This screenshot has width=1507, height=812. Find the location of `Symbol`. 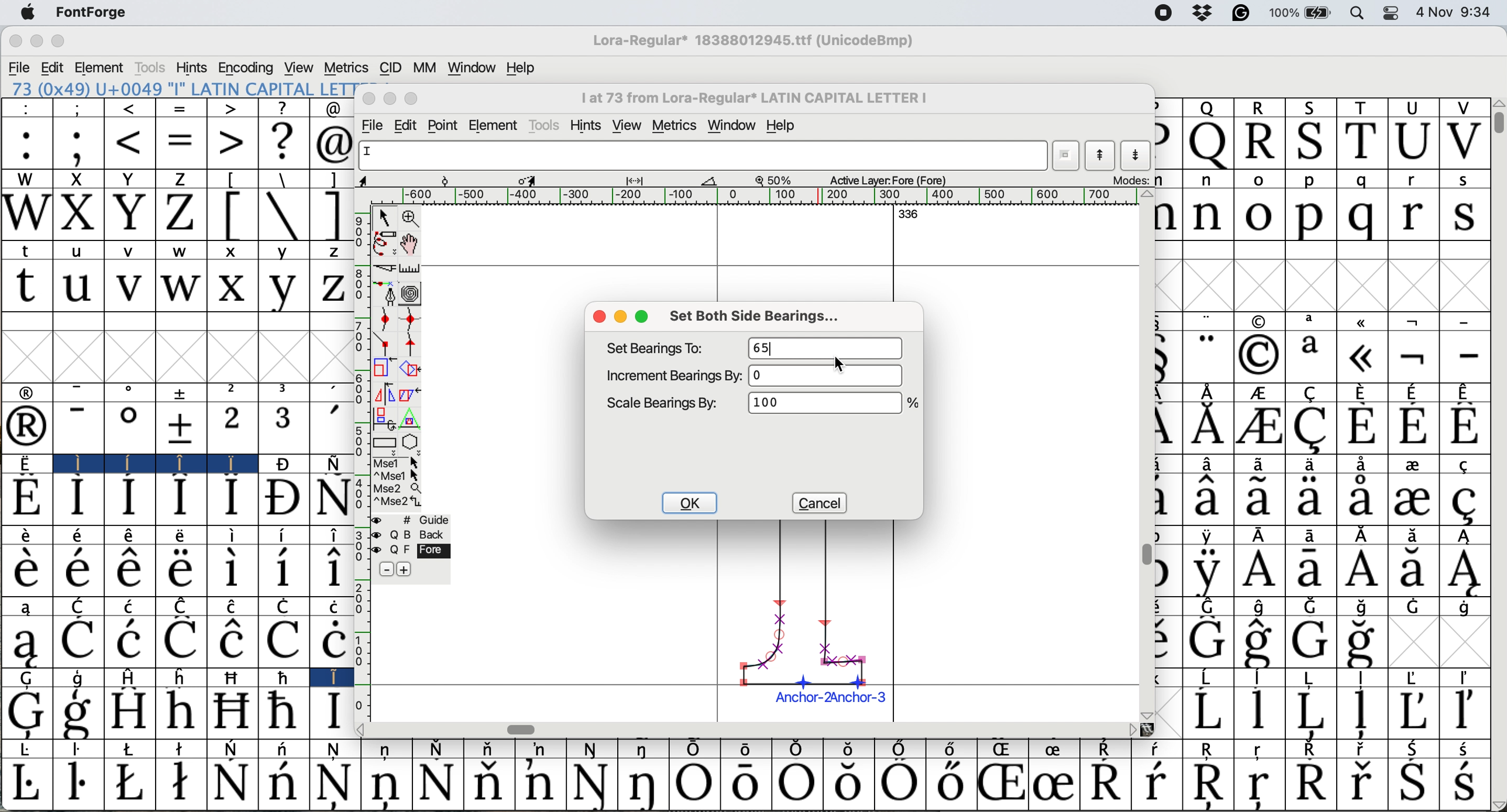

Symbol is located at coordinates (1360, 356).